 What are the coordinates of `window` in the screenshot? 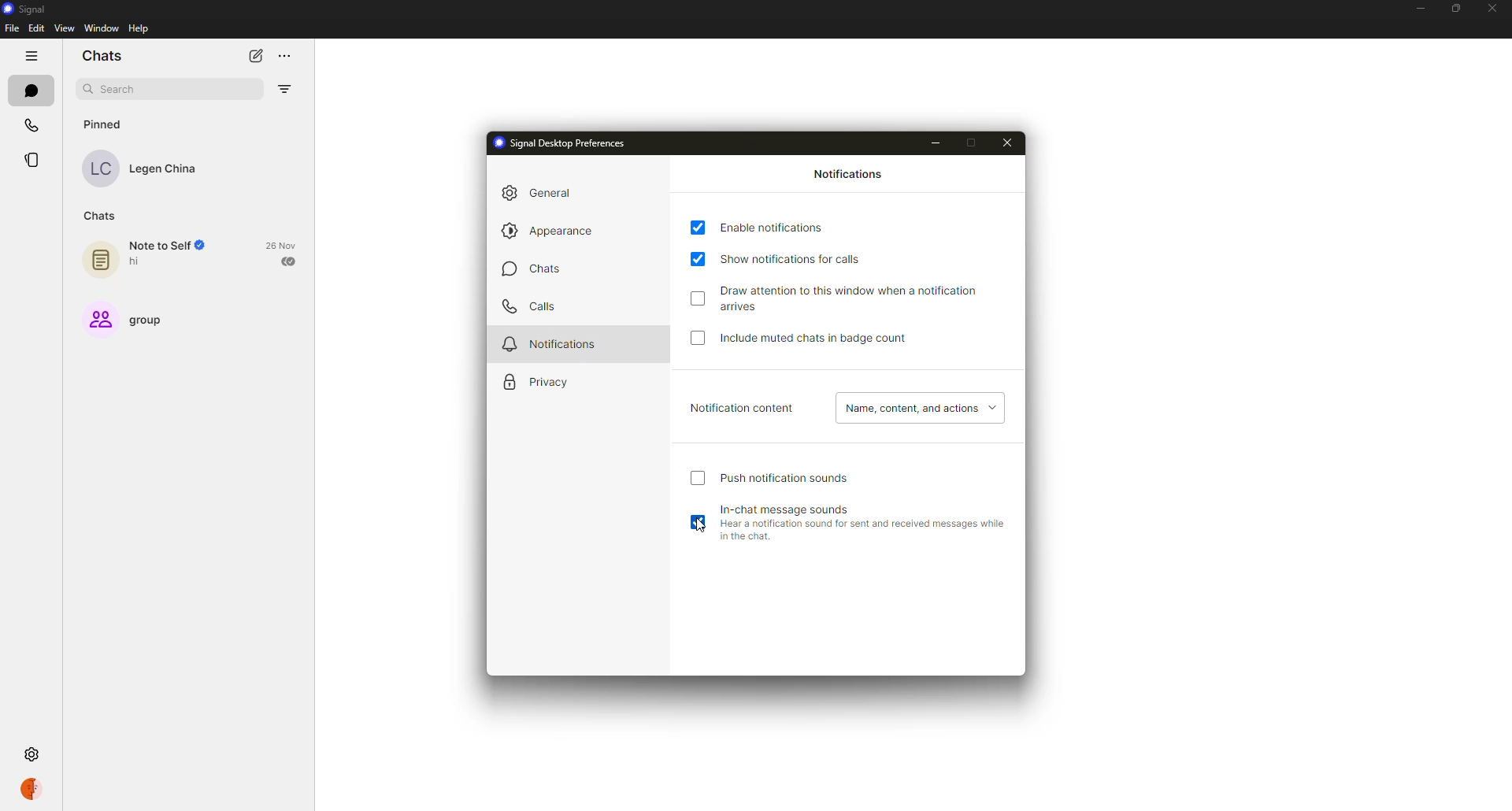 It's located at (102, 29).